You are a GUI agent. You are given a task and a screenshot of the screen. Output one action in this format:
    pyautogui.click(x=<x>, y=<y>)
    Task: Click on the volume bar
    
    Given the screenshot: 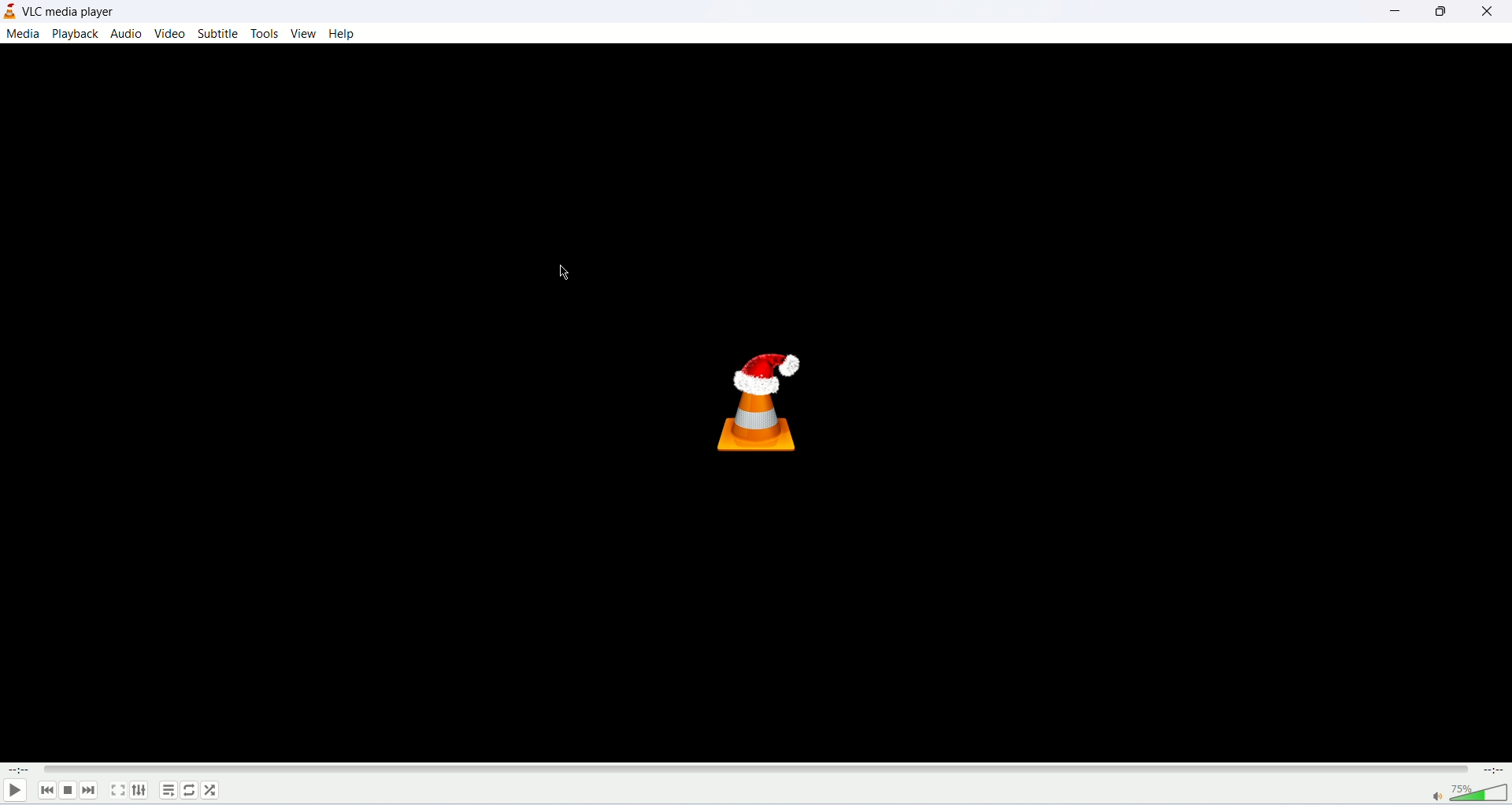 What is the action you would take?
    pyautogui.click(x=1471, y=796)
    